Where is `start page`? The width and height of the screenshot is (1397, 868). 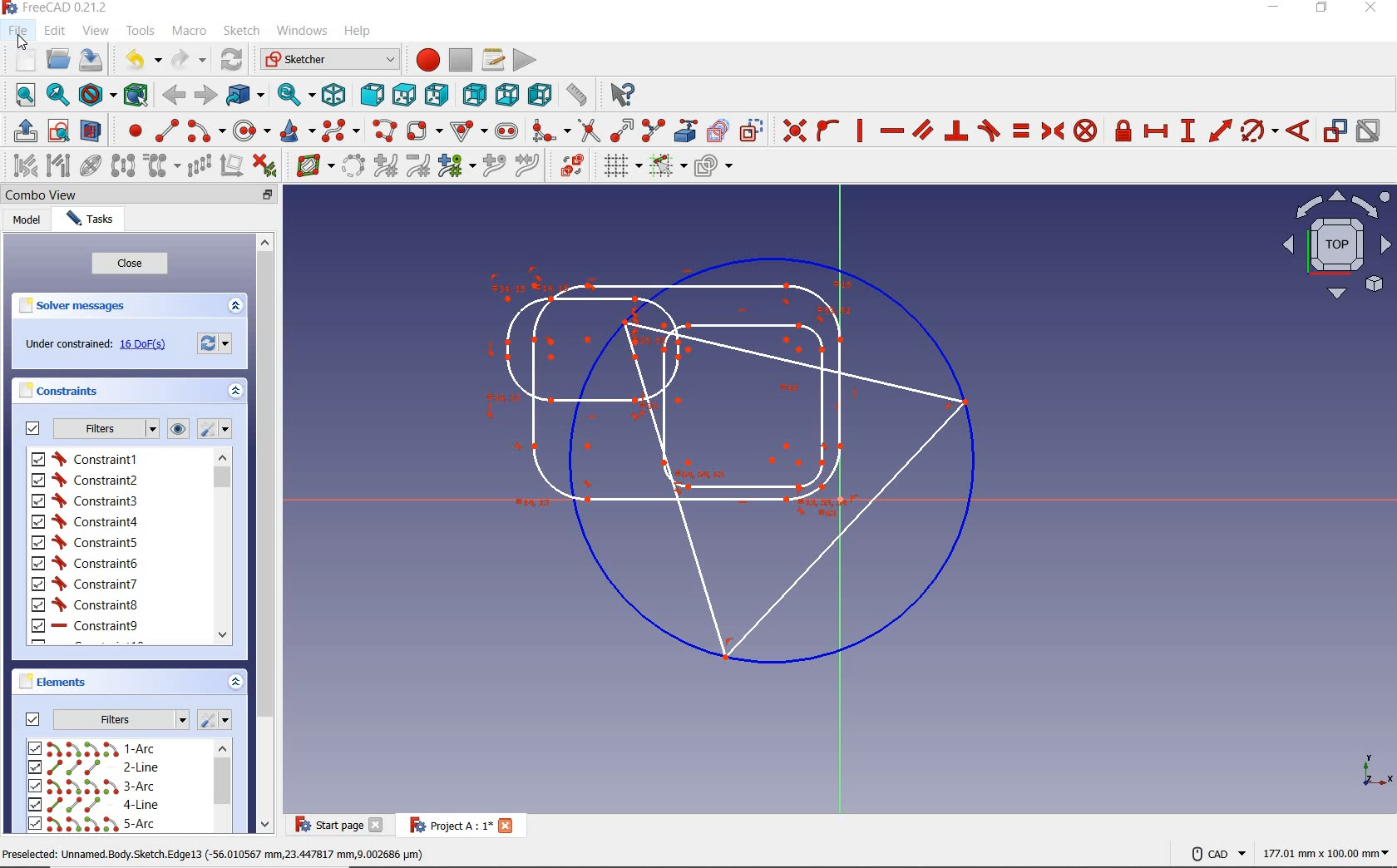 start page is located at coordinates (327, 826).